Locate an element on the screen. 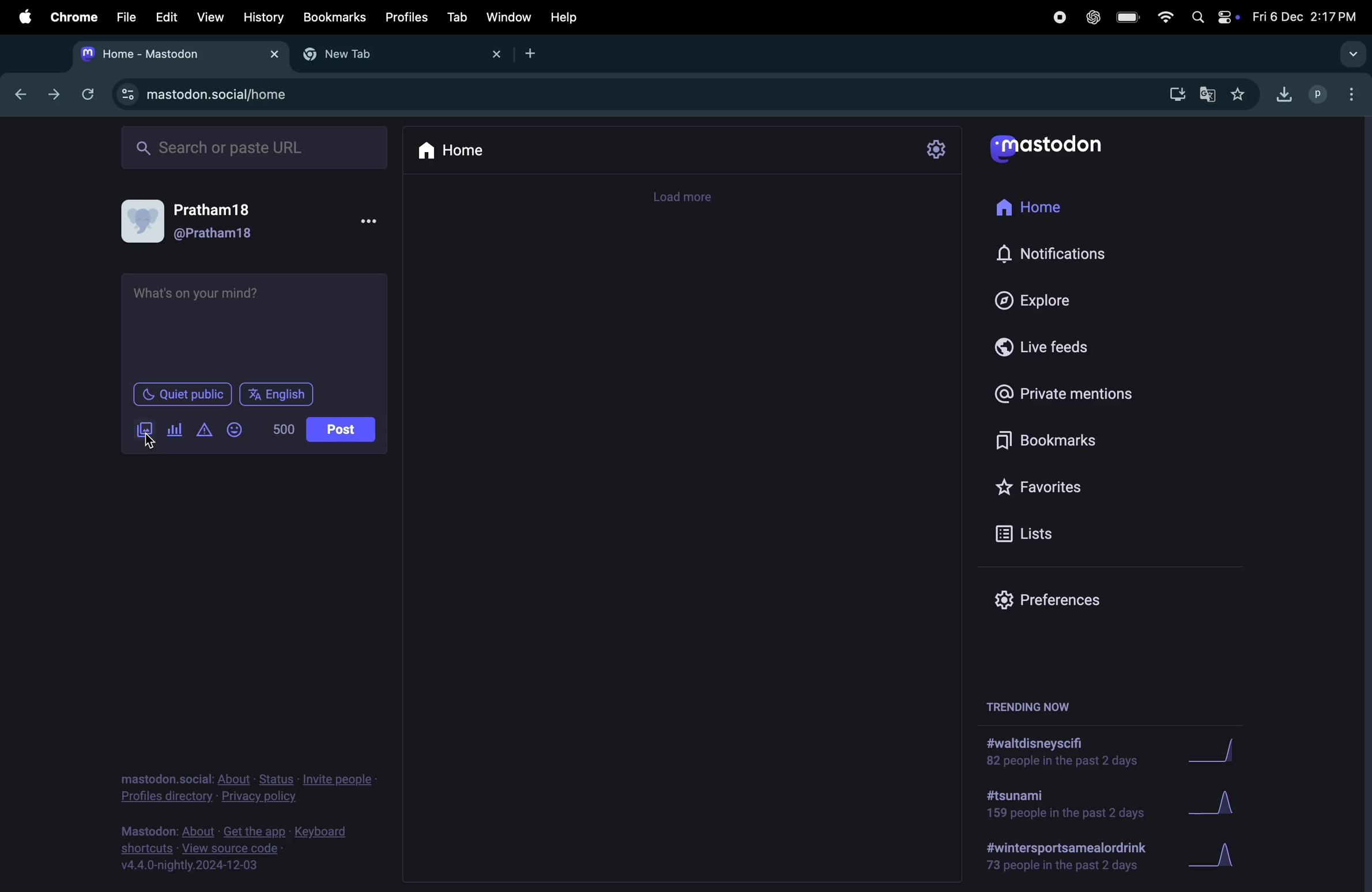 The height and width of the screenshot is (892, 1372). #wintersportmeal drink is located at coordinates (1071, 857).